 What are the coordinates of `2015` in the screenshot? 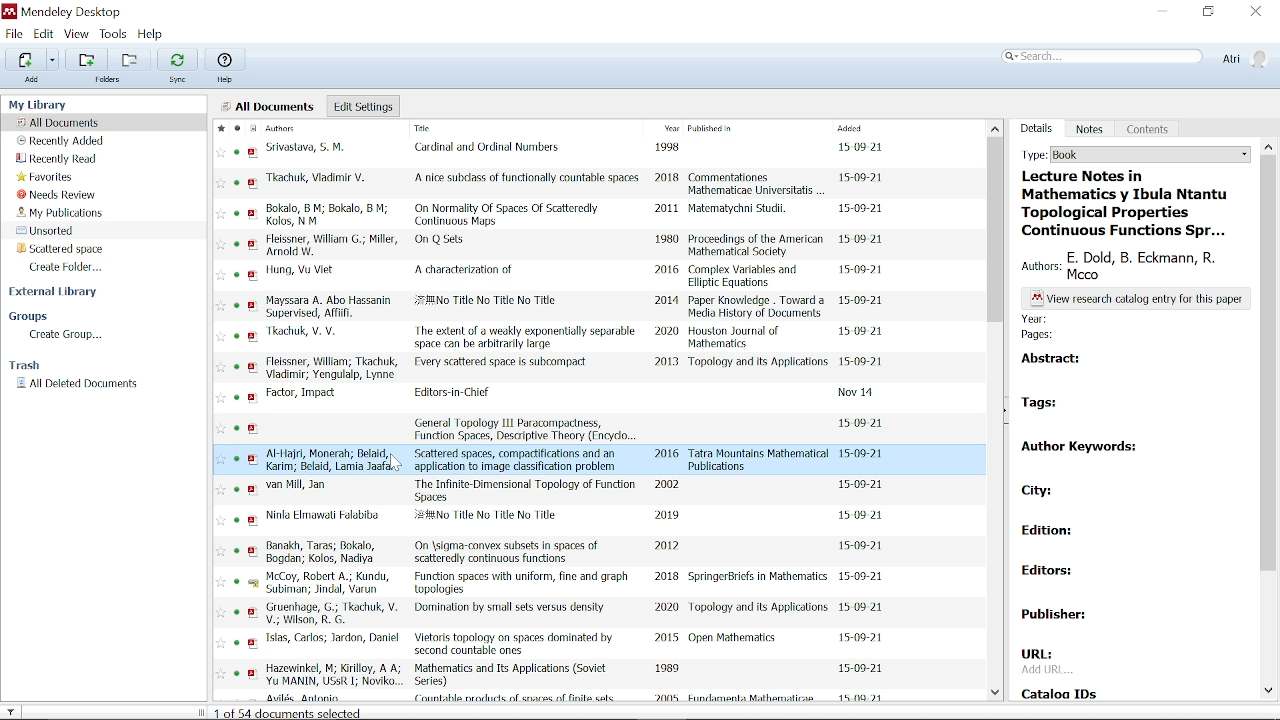 It's located at (666, 640).